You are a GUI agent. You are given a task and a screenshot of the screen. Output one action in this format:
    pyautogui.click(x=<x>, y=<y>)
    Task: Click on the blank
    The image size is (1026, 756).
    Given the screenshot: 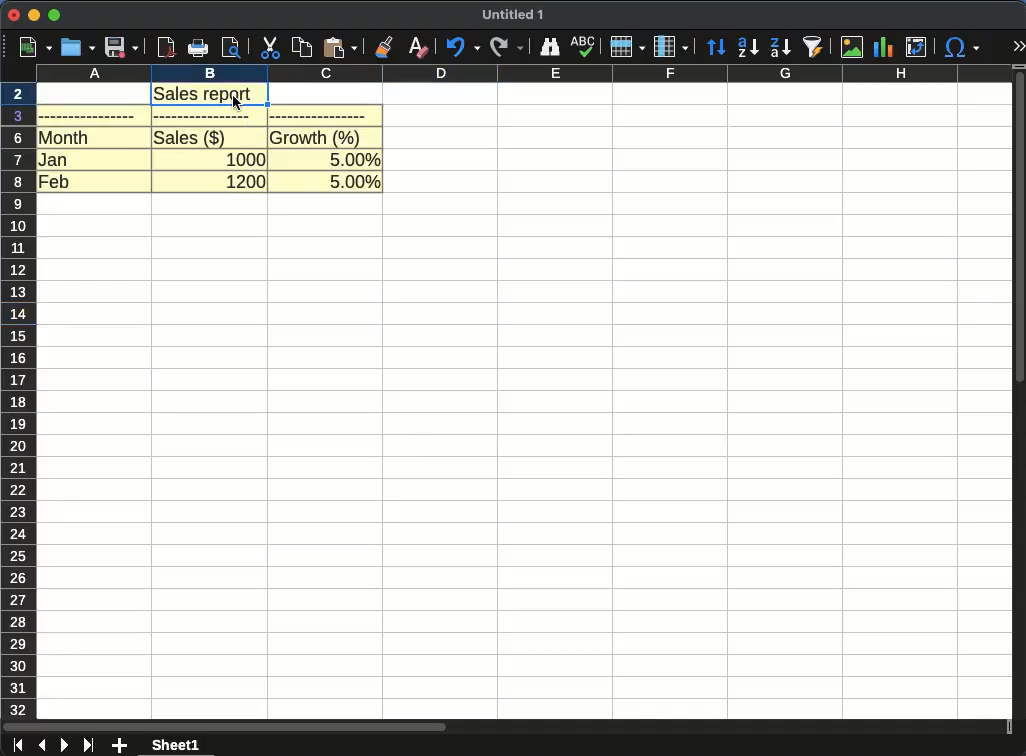 What is the action you would take?
    pyautogui.click(x=88, y=115)
    